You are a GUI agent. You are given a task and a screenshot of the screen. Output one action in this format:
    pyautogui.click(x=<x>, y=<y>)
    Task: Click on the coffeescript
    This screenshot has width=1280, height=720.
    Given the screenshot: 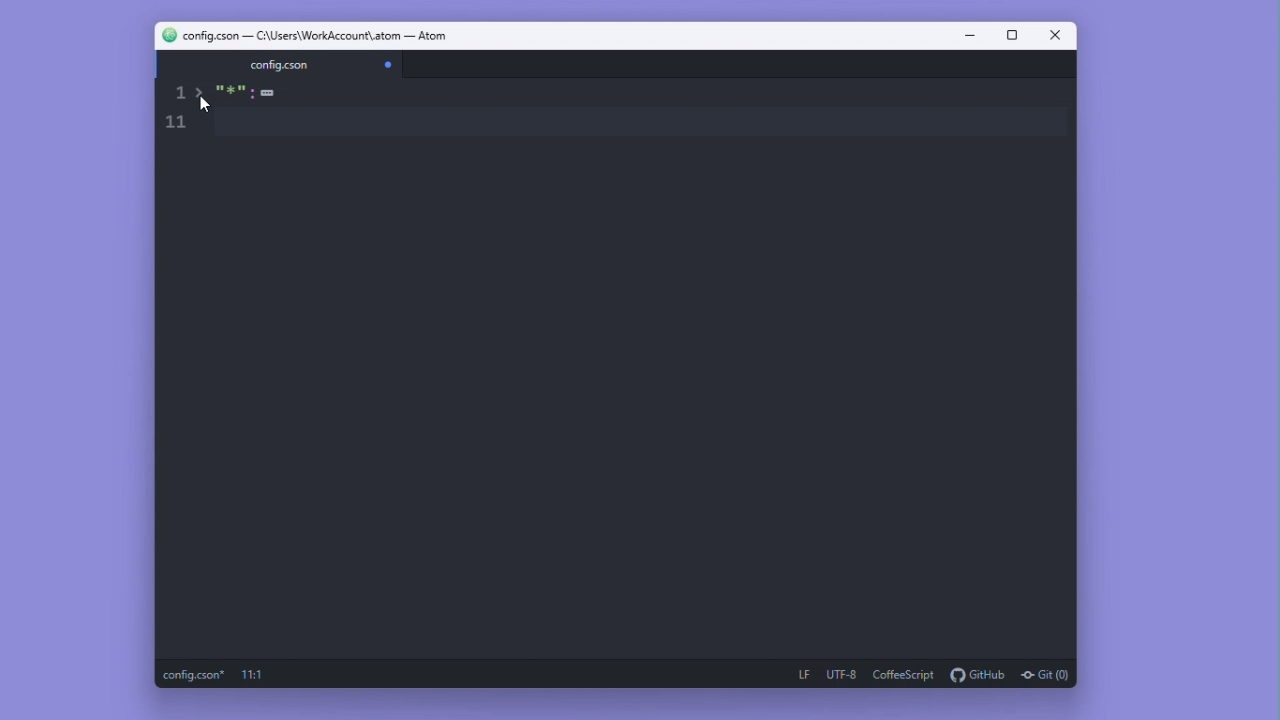 What is the action you would take?
    pyautogui.click(x=904, y=672)
    